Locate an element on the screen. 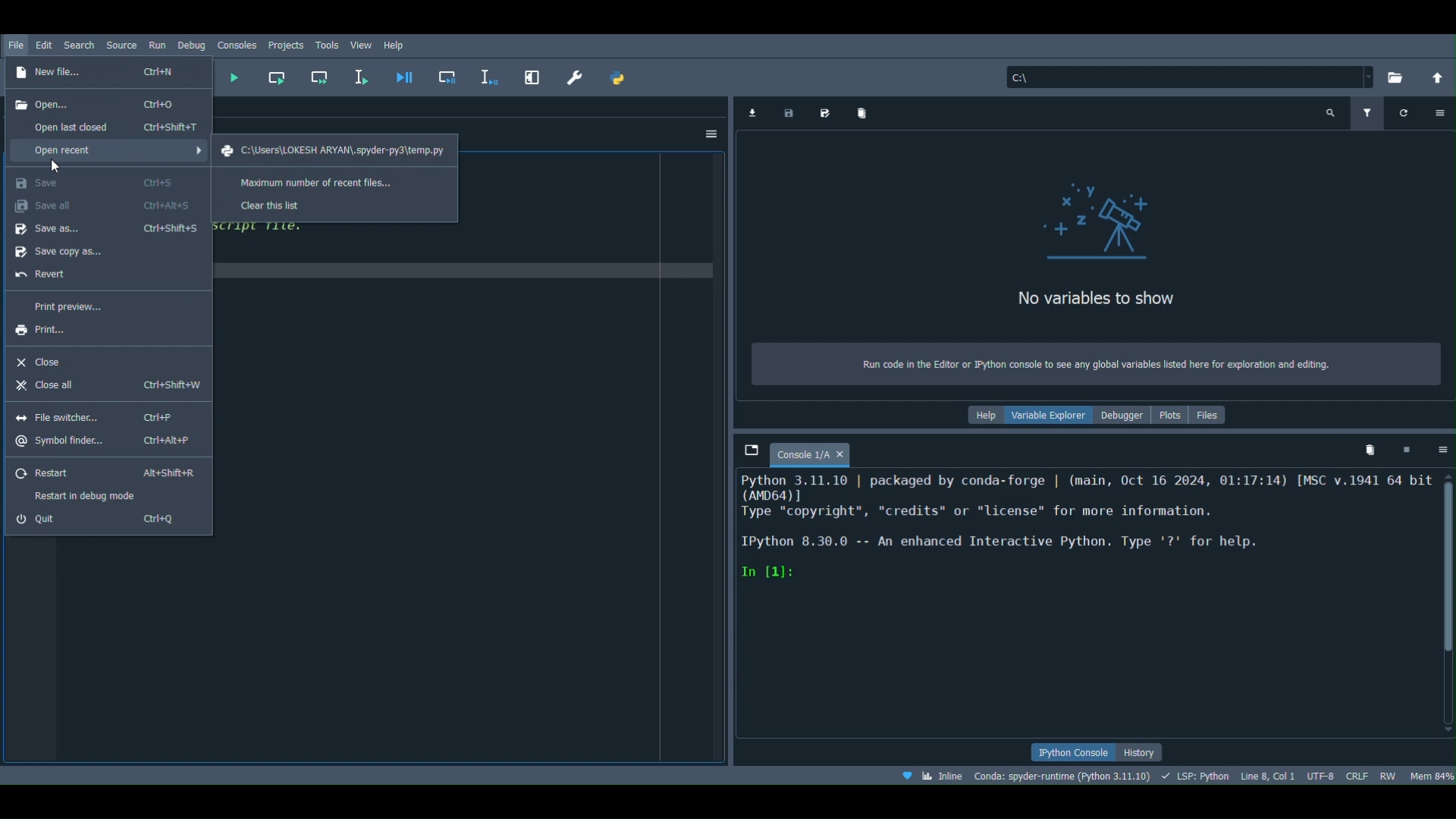  Symbol finder is located at coordinates (97, 443).